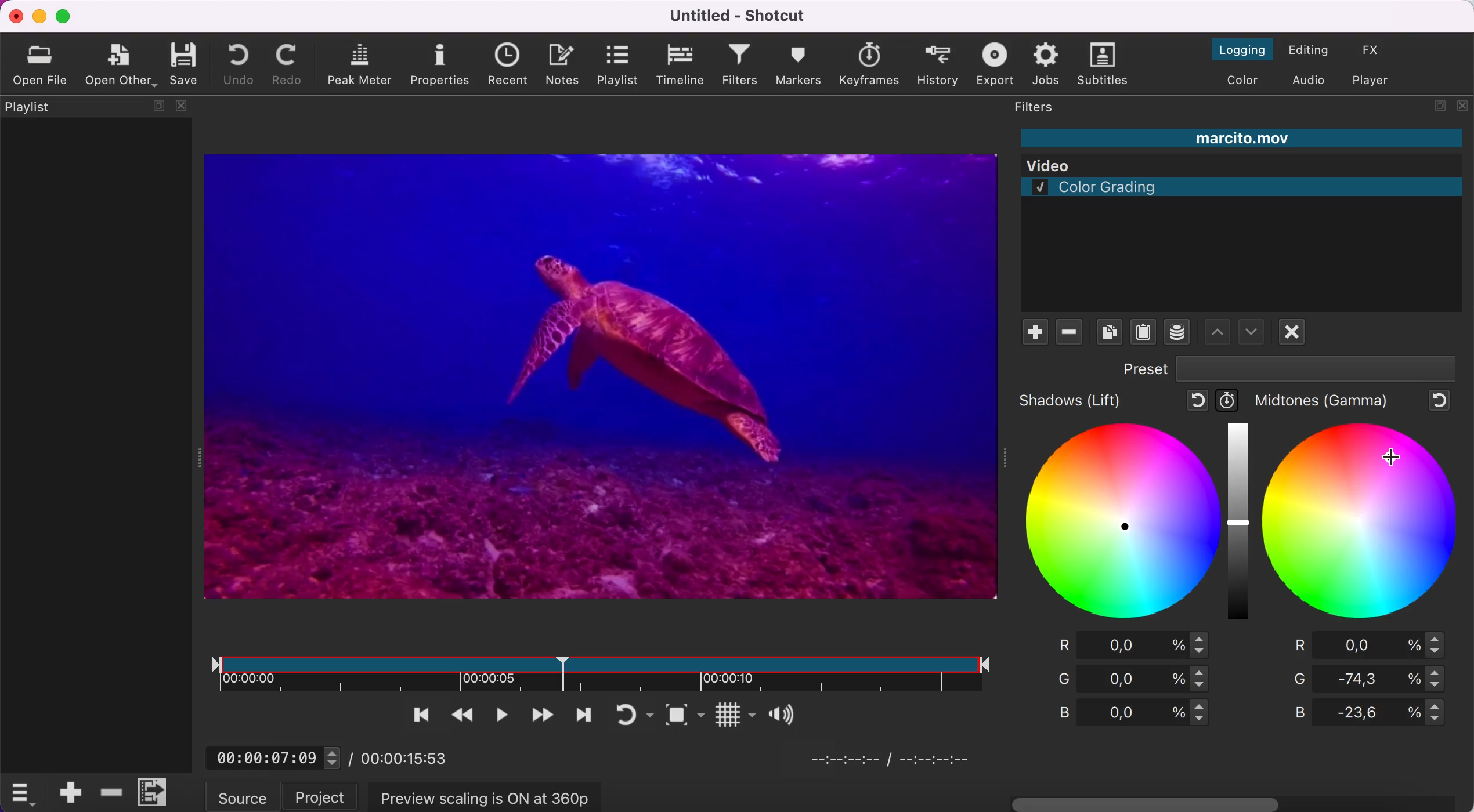 This screenshot has width=1474, height=812. Describe the element at coordinates (868, 61) in the screenshot. I see `keyframes` at that location.